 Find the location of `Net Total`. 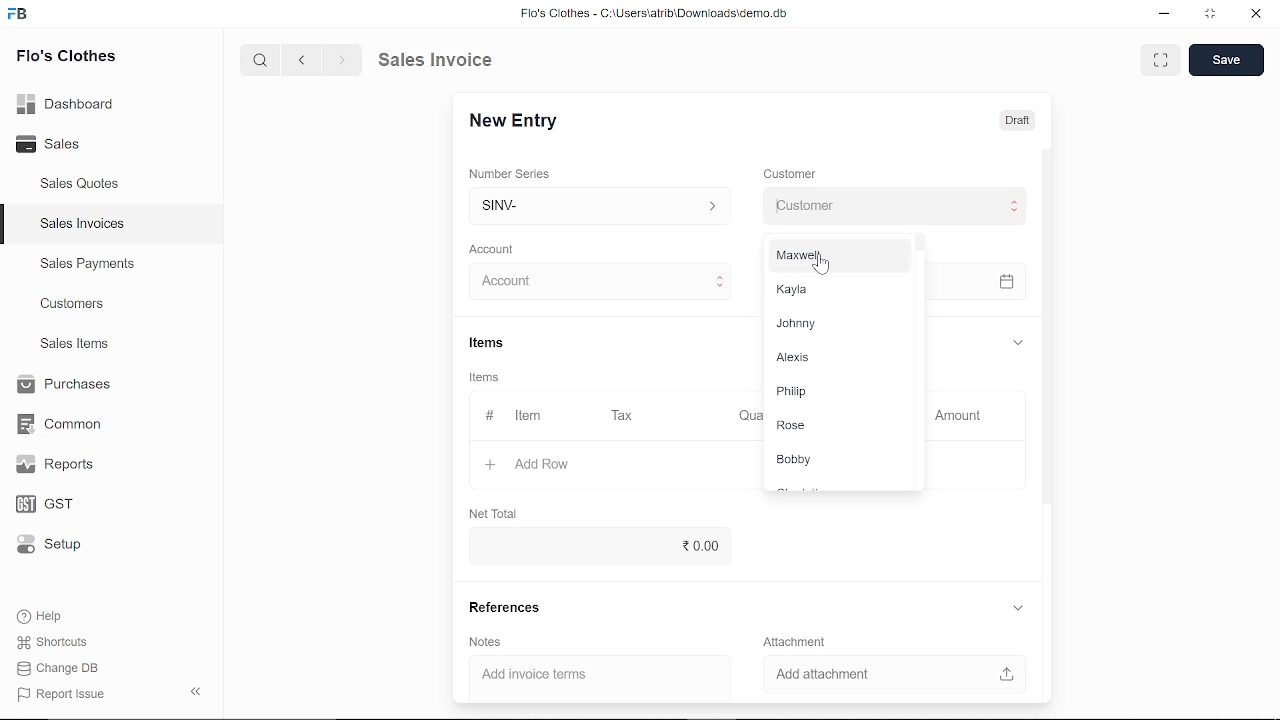

Net Total is located at coordinates (490, 513).